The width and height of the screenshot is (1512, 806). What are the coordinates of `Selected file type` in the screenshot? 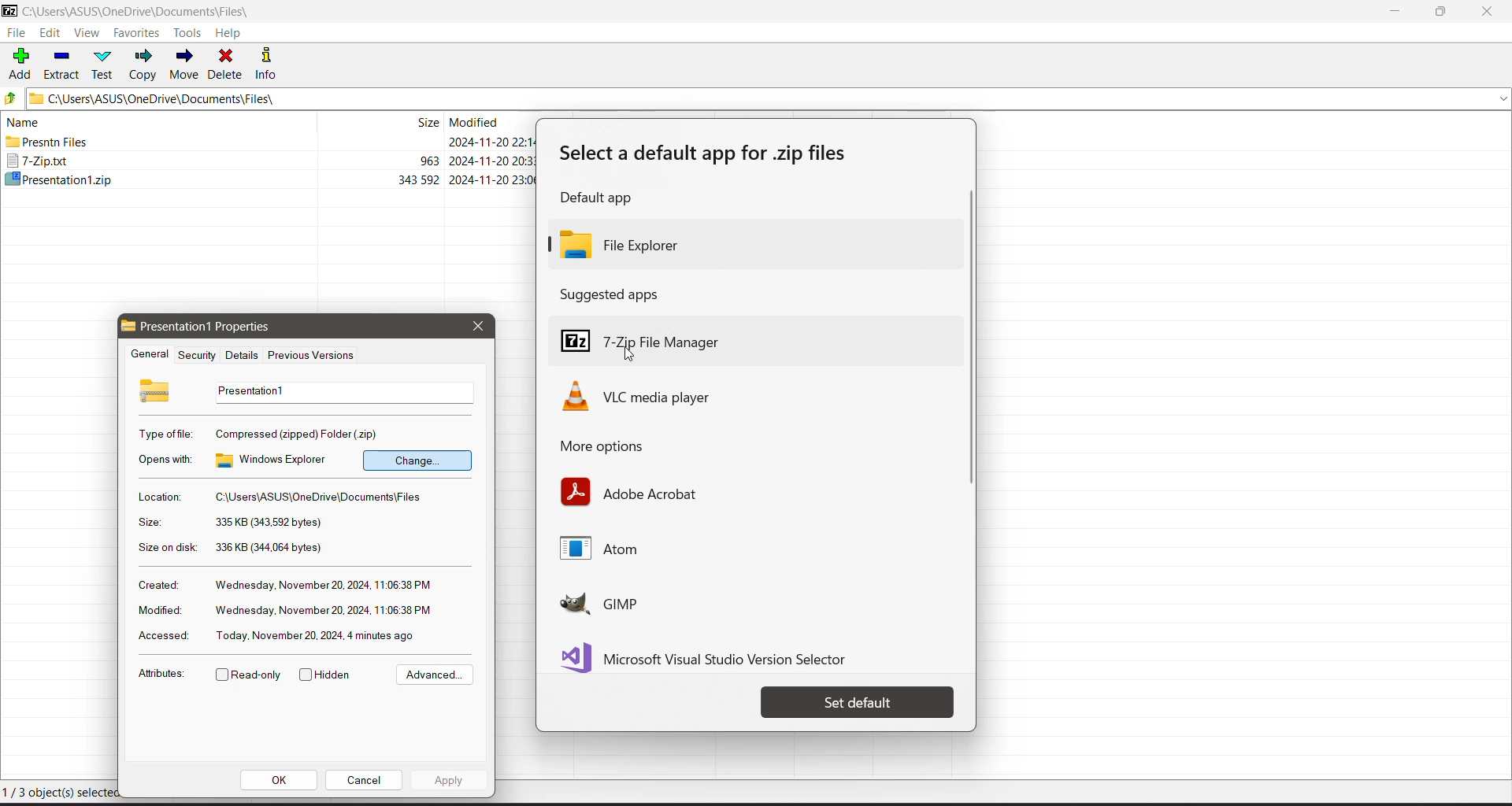 It's located at (299, 433).